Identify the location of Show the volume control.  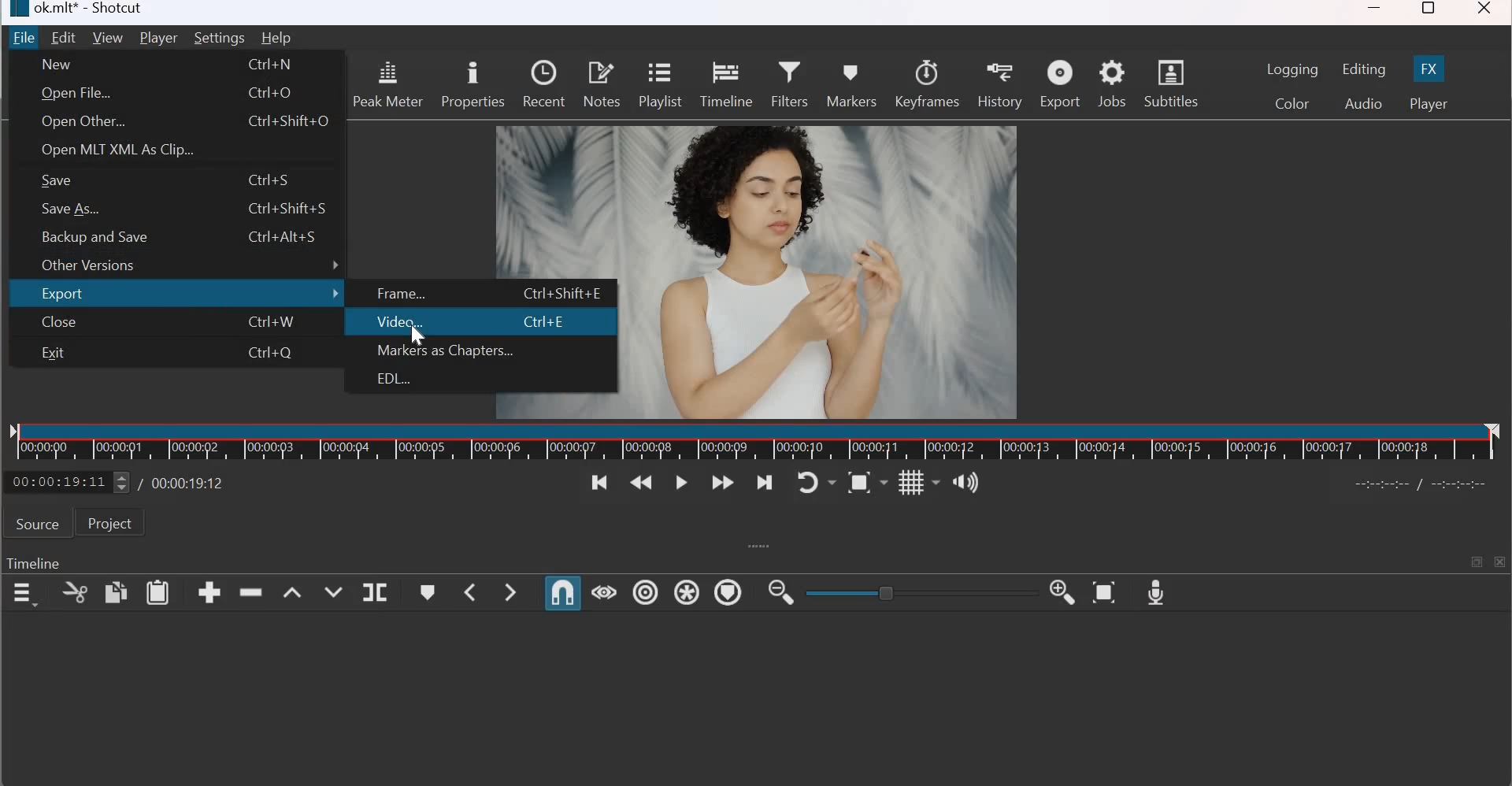
(965, 483).